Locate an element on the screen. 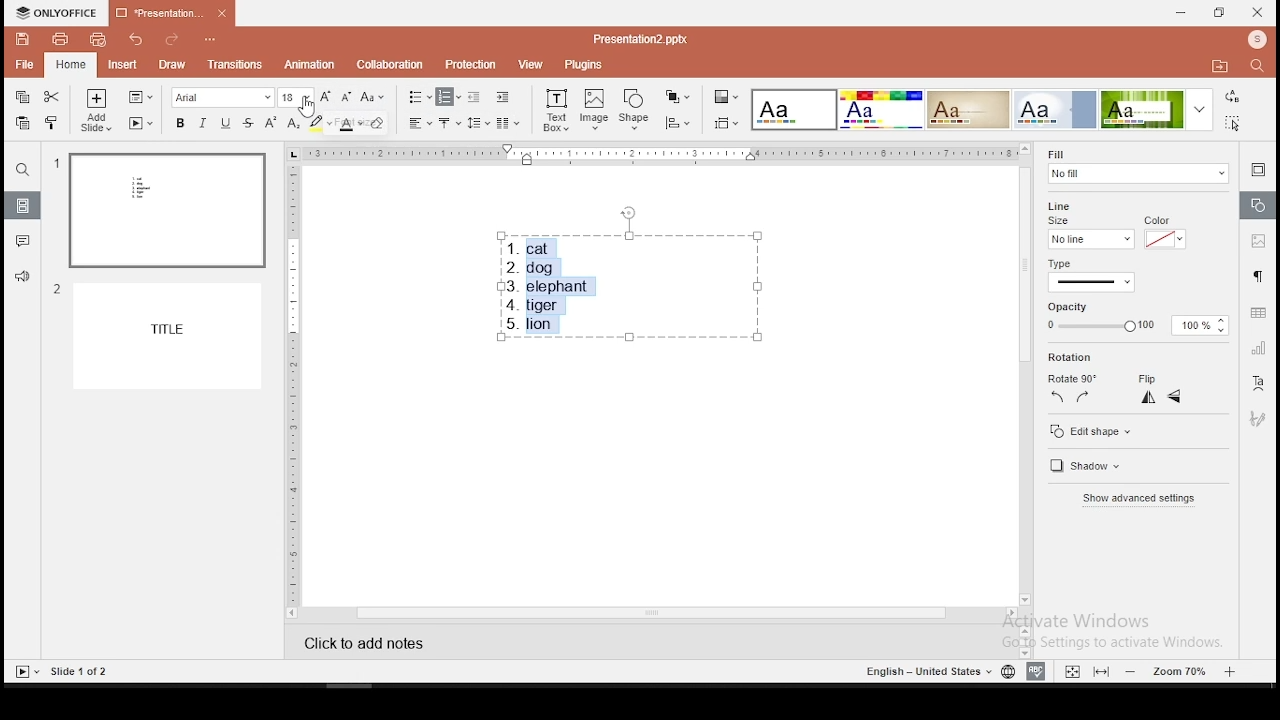  support and feedback is located at coordinates (21, 277).